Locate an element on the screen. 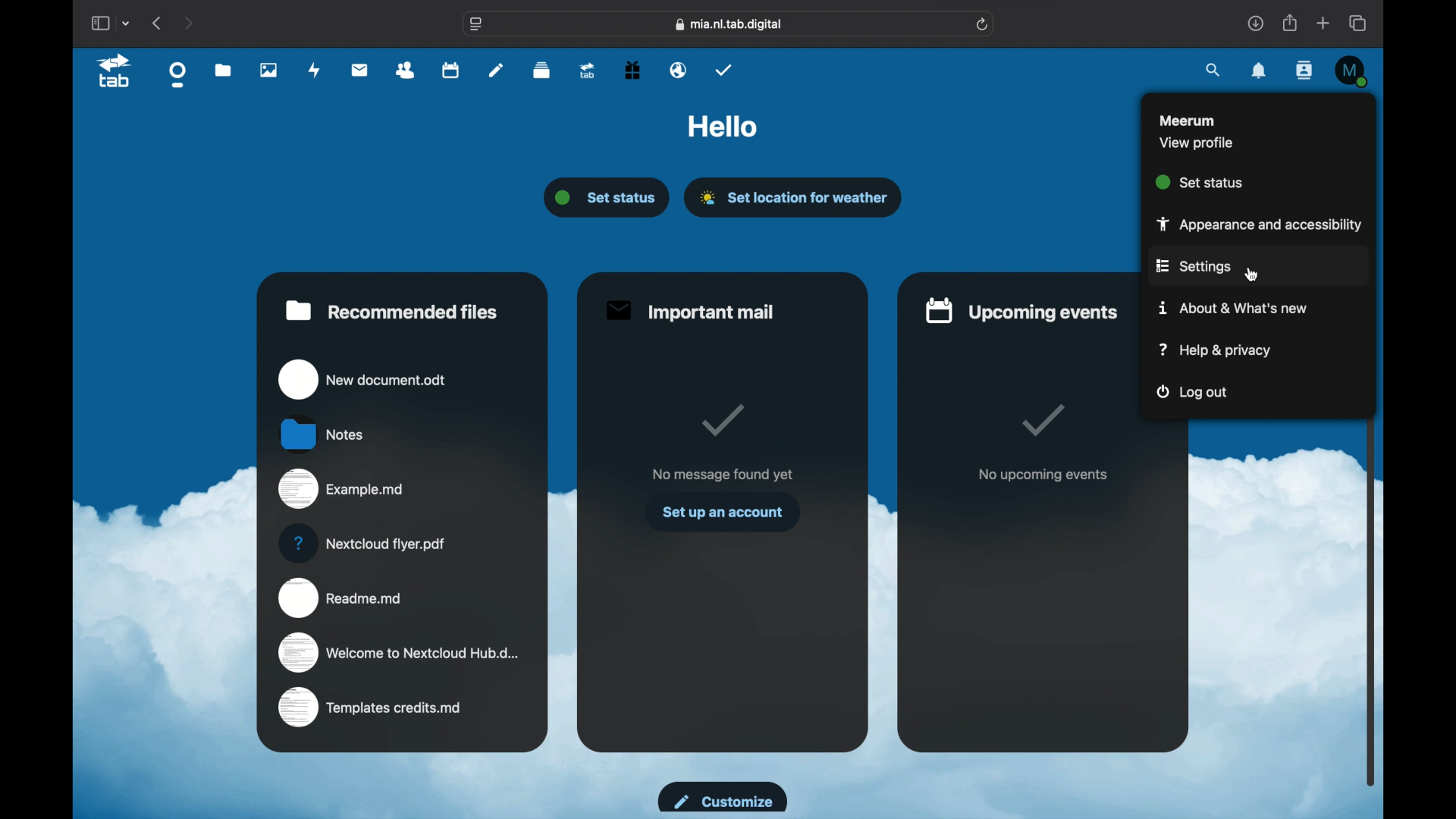 This screenshot has width=1456, height=819. about & what's new is located at coordinates (1233, 309).